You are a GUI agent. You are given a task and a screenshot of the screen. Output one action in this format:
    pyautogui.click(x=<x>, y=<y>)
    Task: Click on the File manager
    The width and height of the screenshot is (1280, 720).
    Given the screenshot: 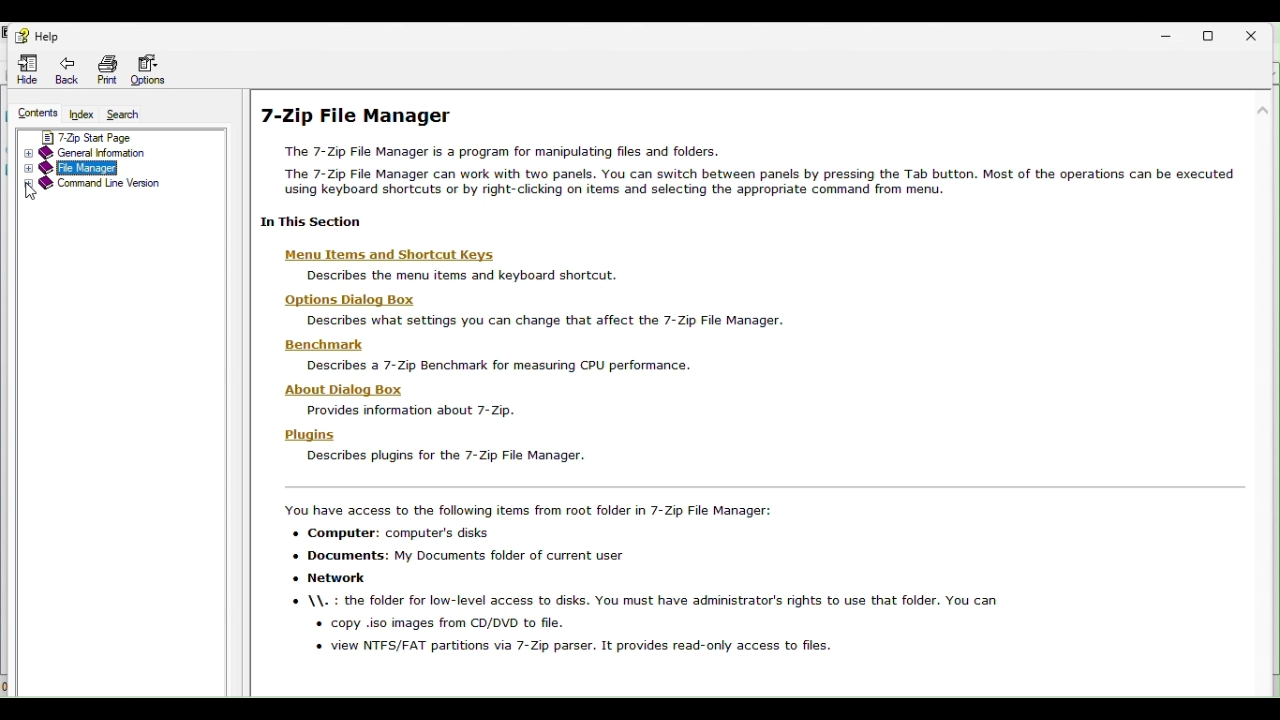 What is the action you would take?
    pyautogui.click(x=103, y=168)
    